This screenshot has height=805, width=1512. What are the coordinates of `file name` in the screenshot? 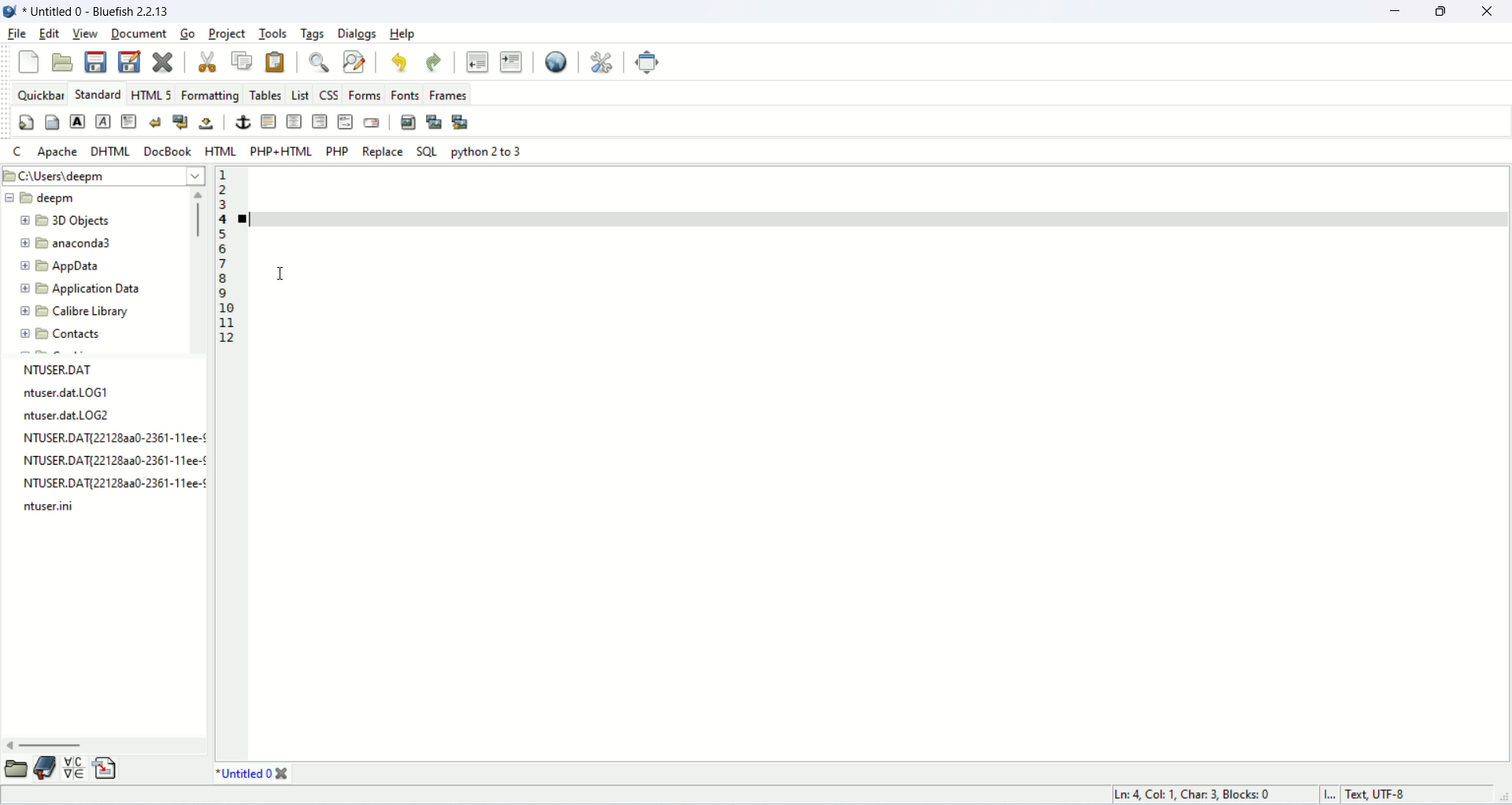 It's located at (246, 774).